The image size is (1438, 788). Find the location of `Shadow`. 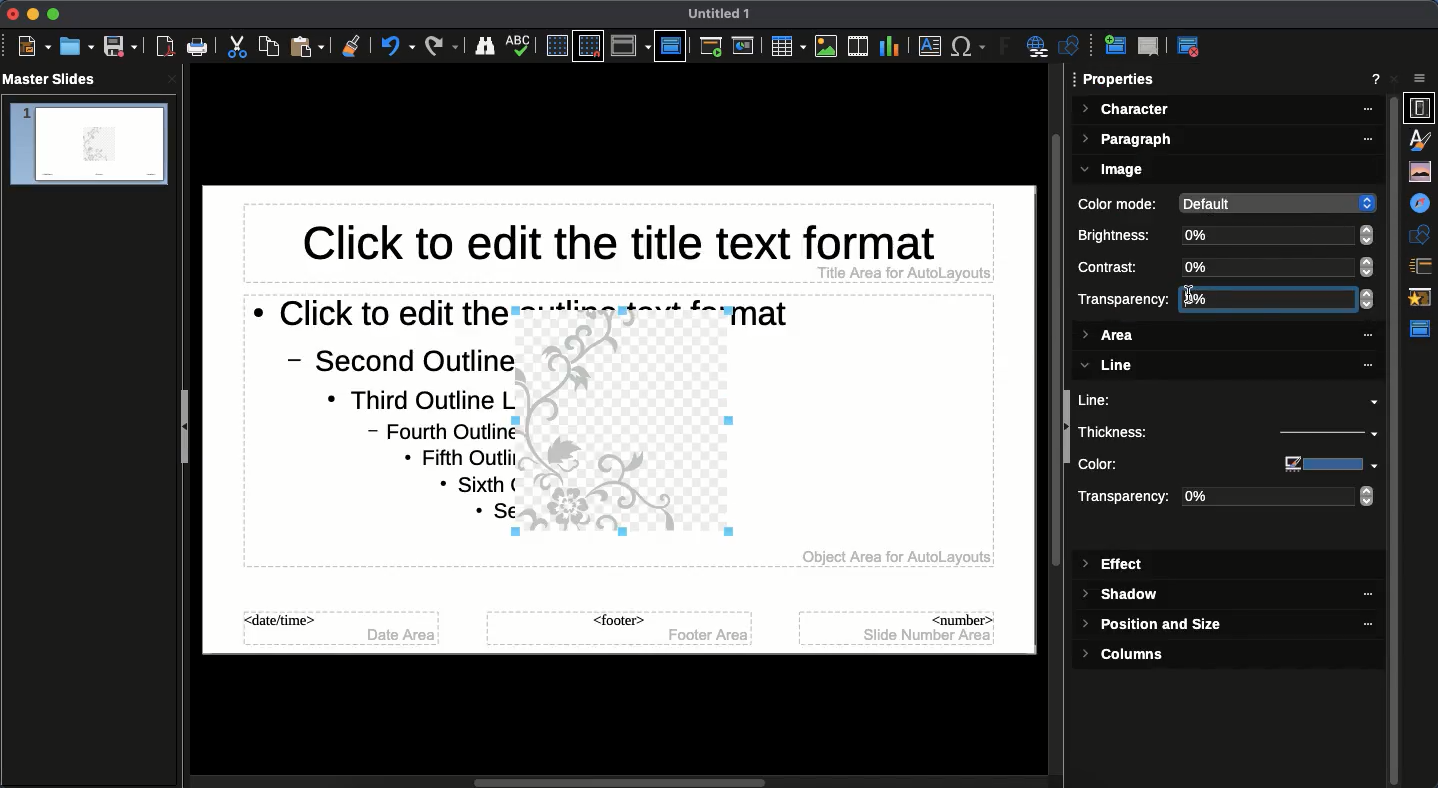

Shadow is located at coordinates (1124, 596).